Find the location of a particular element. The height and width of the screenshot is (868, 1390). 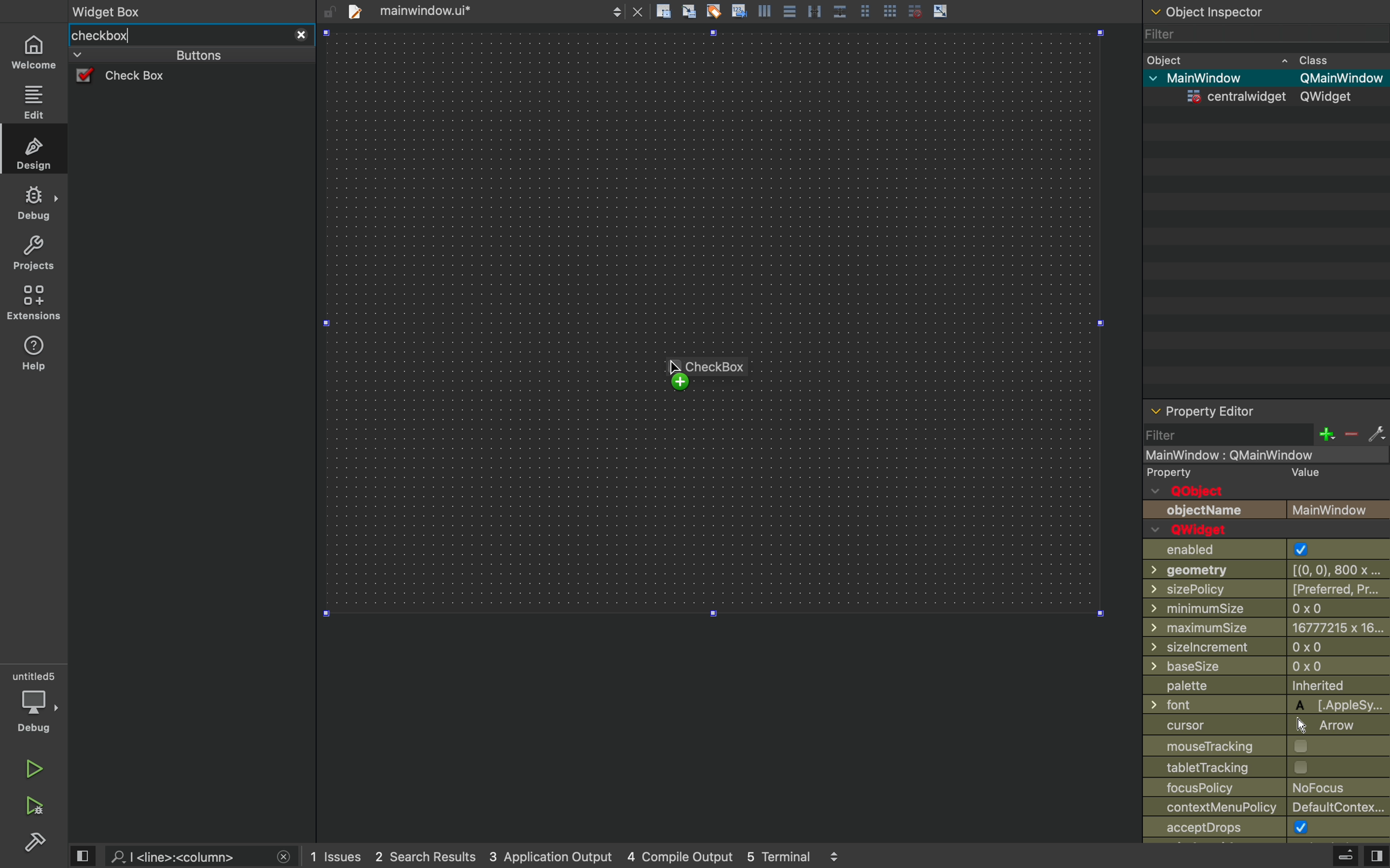

distribute vertically is located at coordinates (840, 11).